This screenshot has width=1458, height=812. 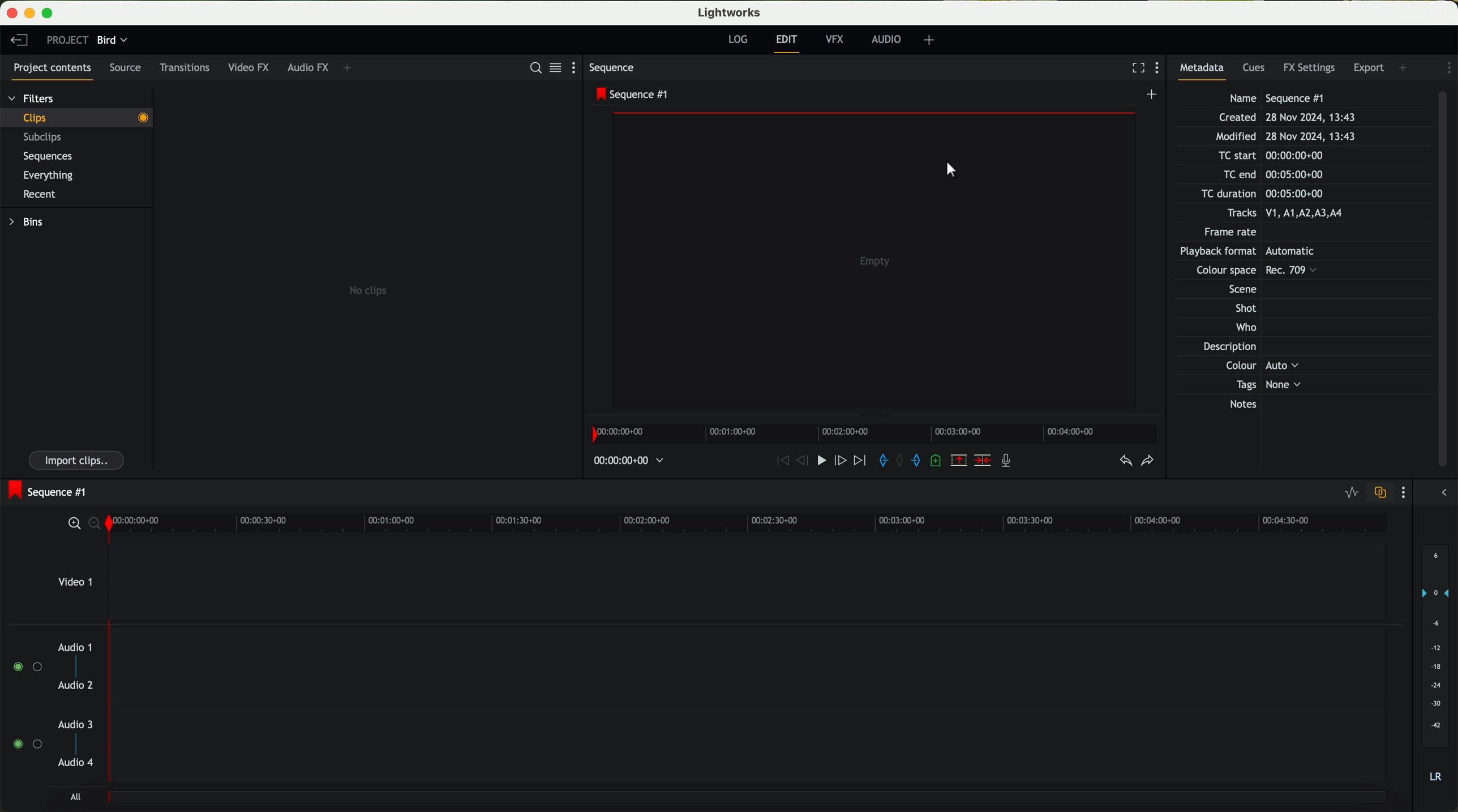 I want to click on delete, so click(x=984, y=461).